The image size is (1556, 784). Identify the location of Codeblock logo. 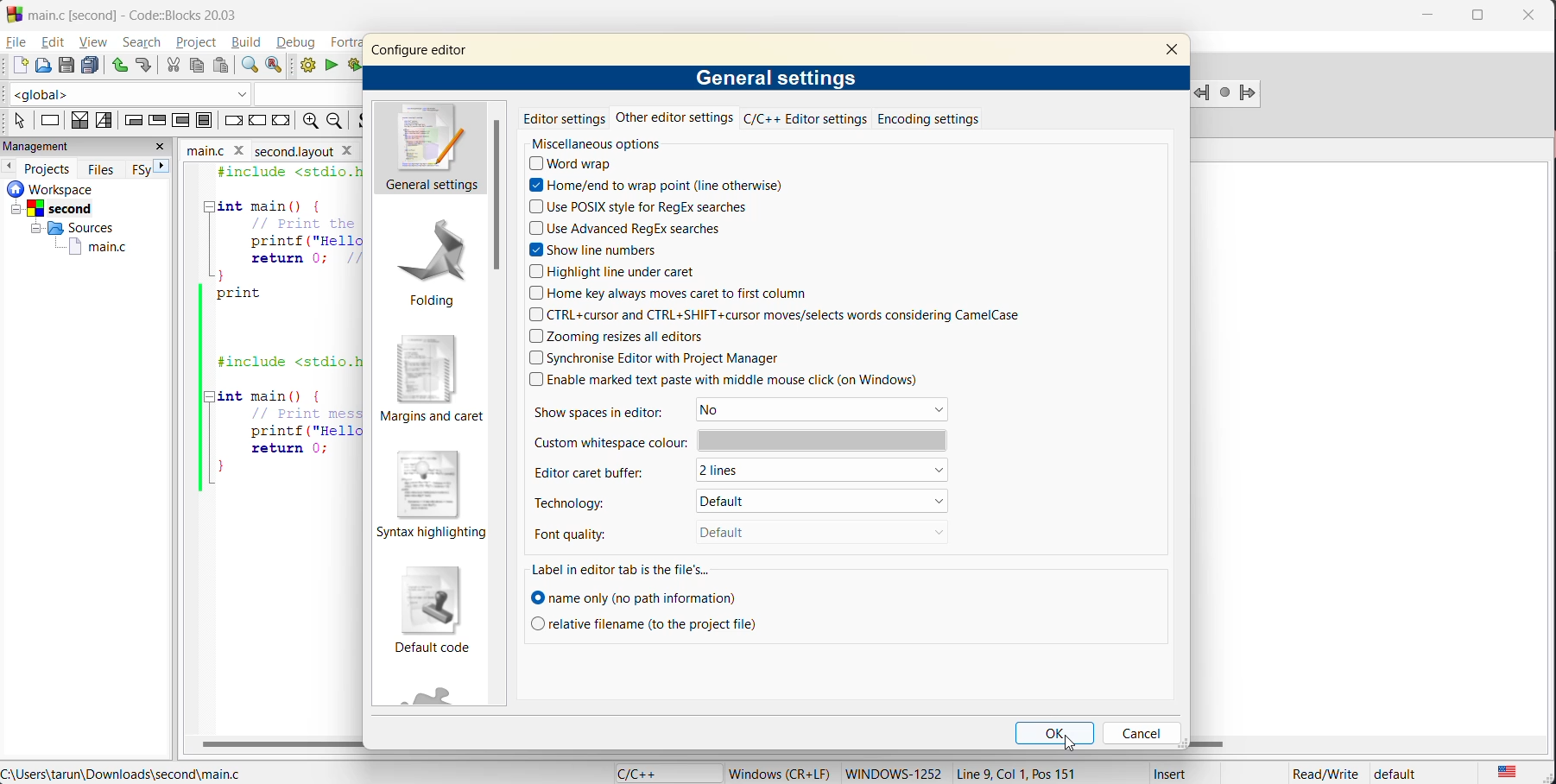
(13, 14).